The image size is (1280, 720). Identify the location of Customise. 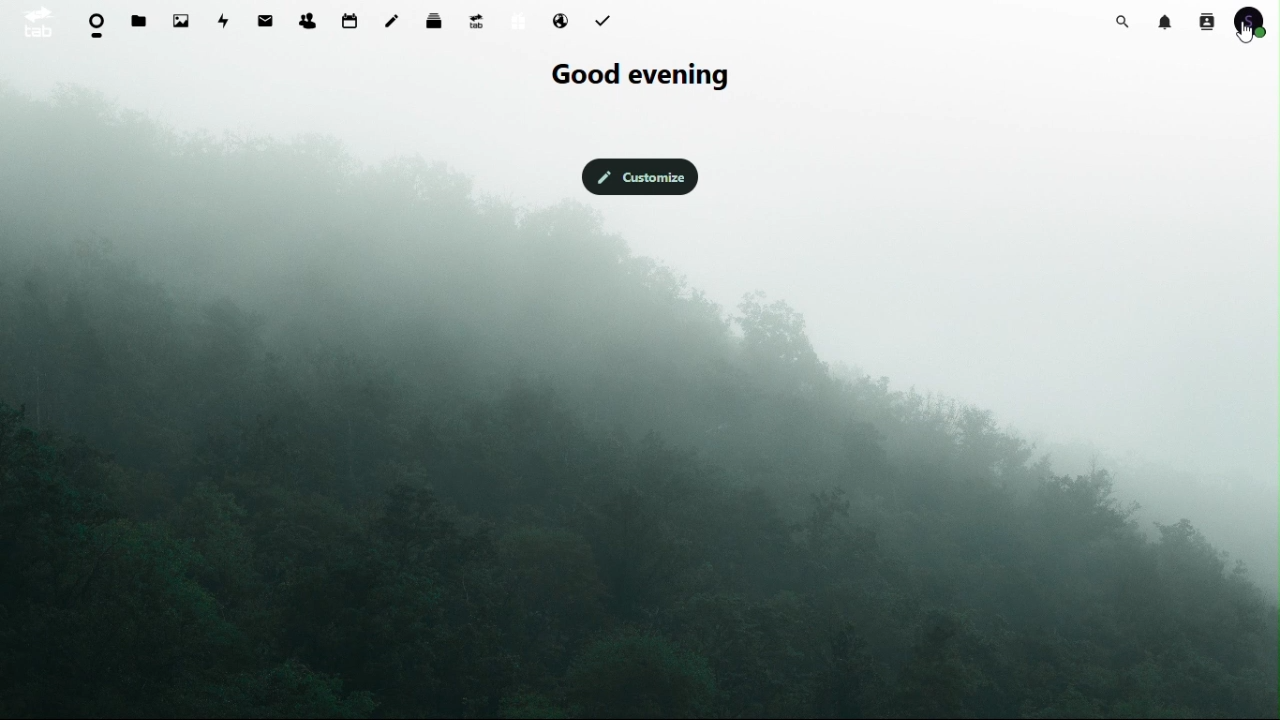
(638, 175).